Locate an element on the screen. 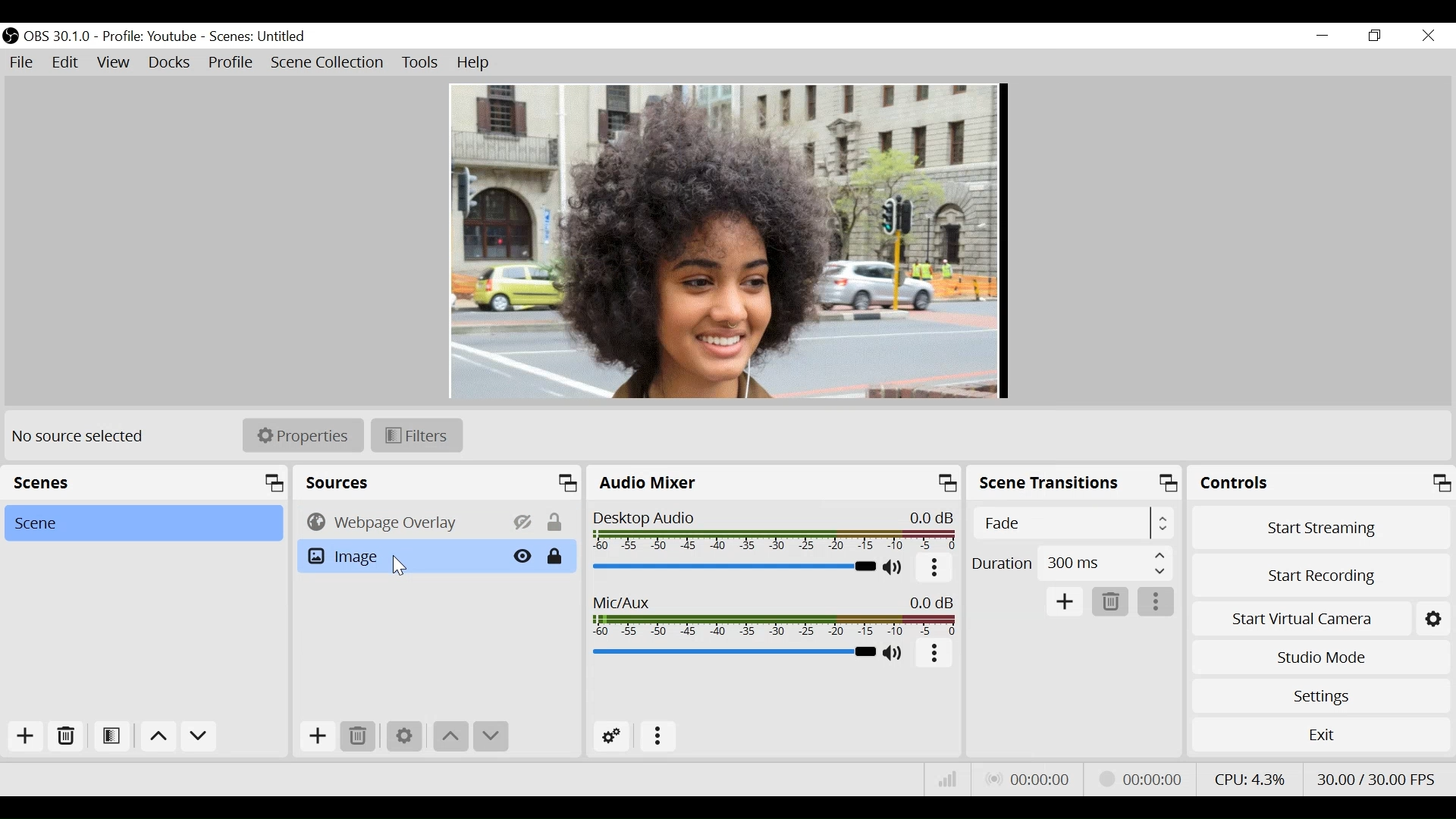 The image size is (1456, 819). Control Panel is located at coordinates (1321, 482).